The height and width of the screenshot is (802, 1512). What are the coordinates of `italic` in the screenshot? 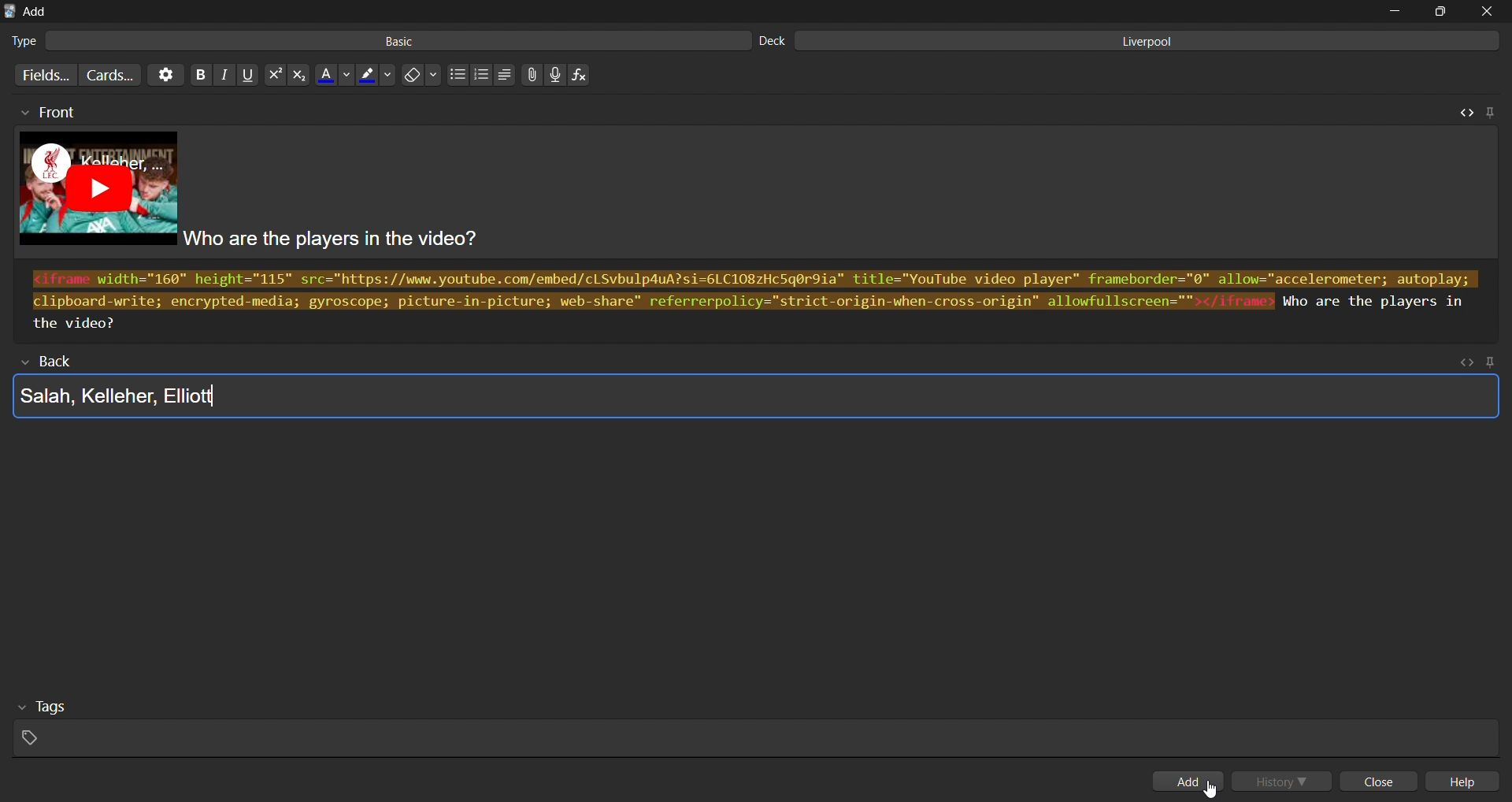 It's located at (223, 76).